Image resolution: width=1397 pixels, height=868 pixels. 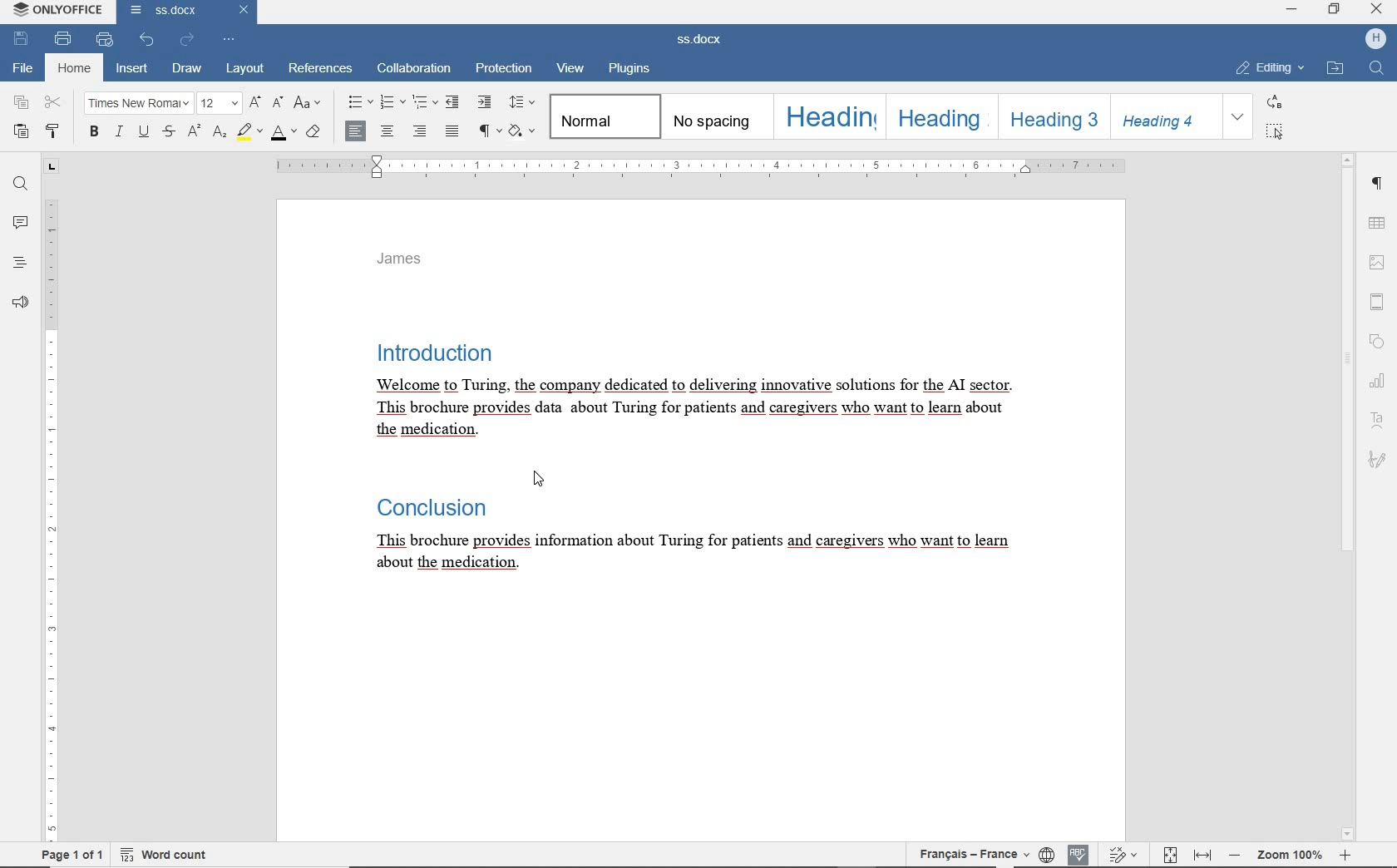 I want to click on DECREASE INDENT, so click(x=453, y=103).